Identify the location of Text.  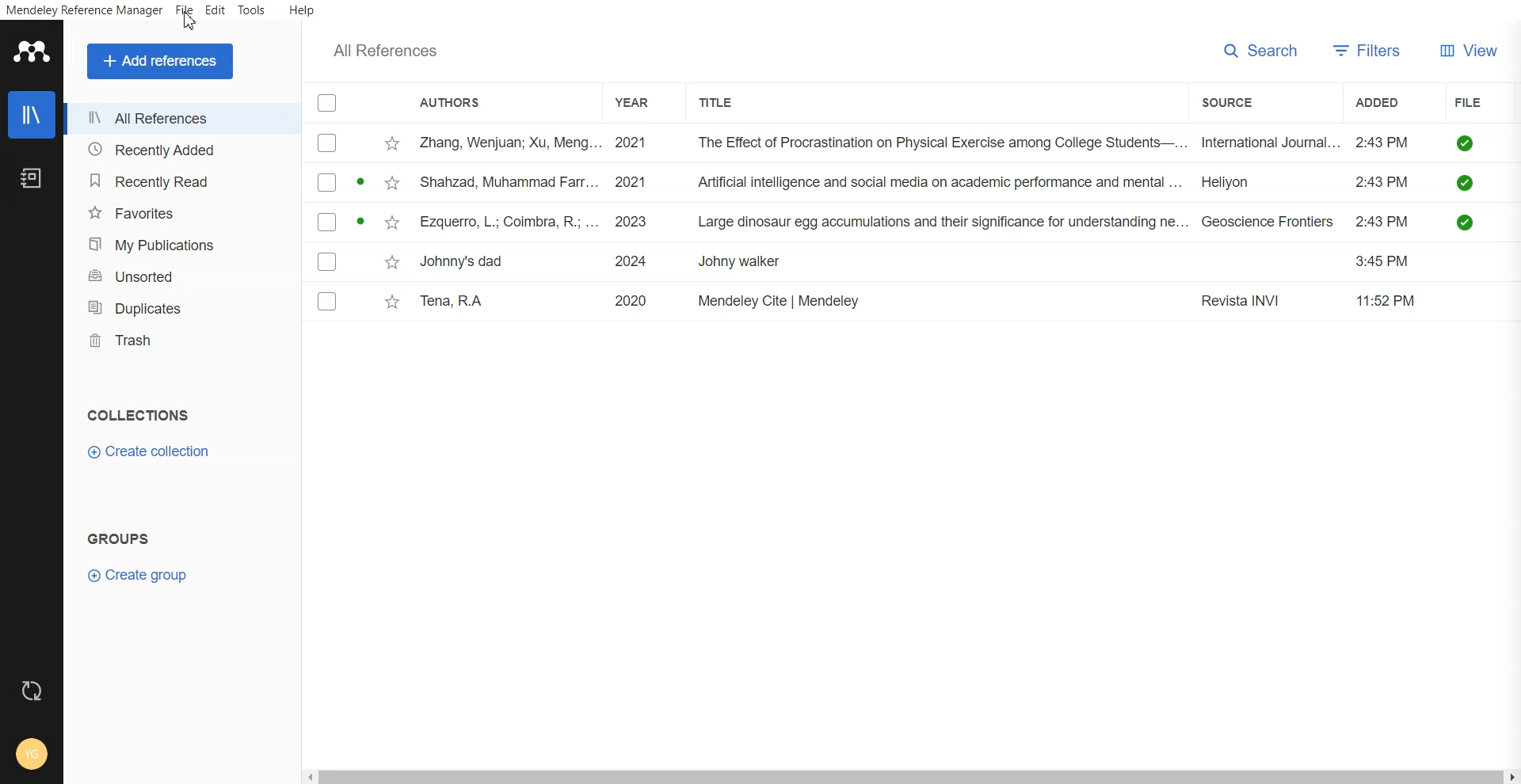
(121, 537).